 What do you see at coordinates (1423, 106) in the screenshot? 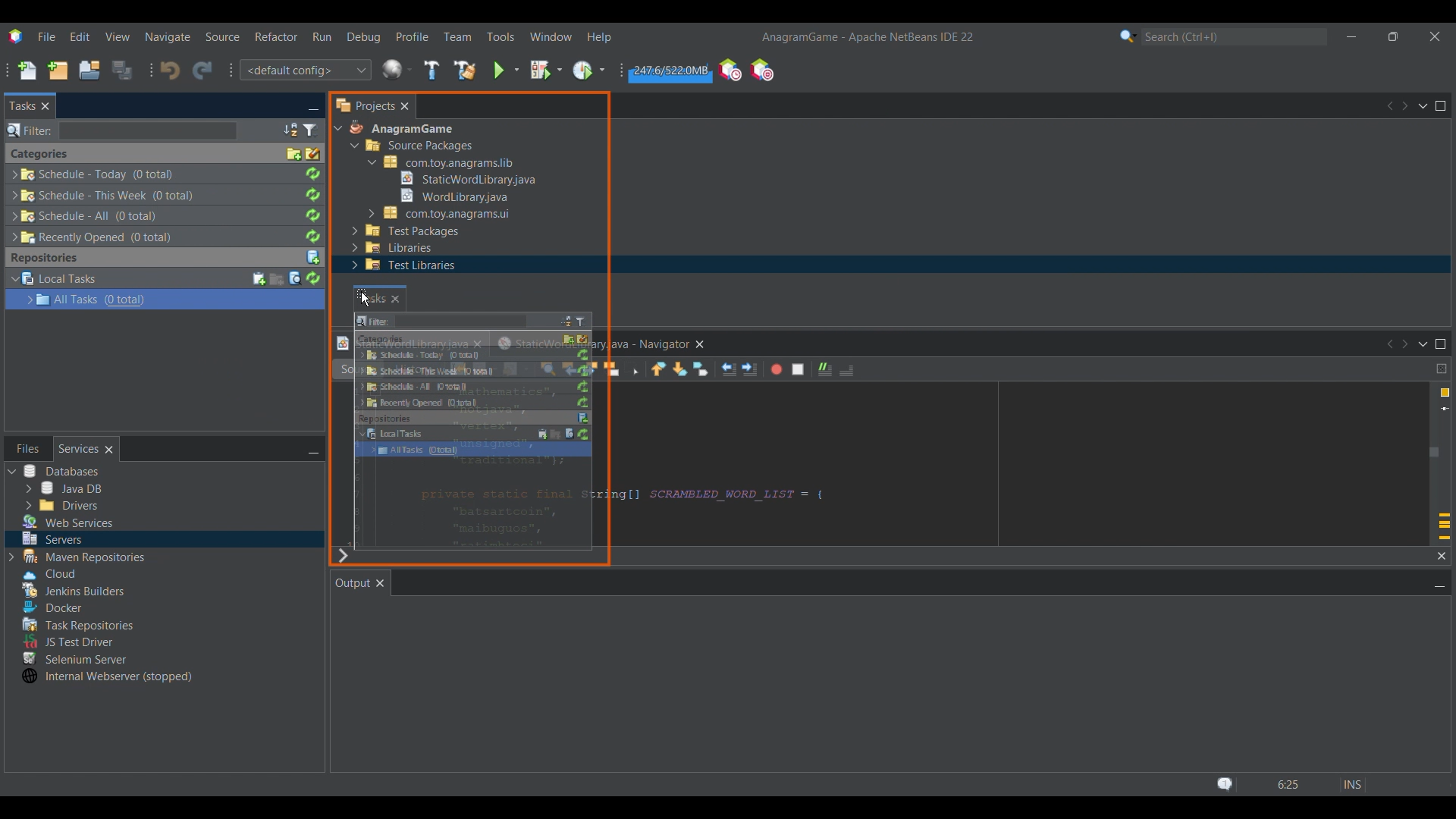
I see `Show opened documents list` at bounding box center [1423, 106].